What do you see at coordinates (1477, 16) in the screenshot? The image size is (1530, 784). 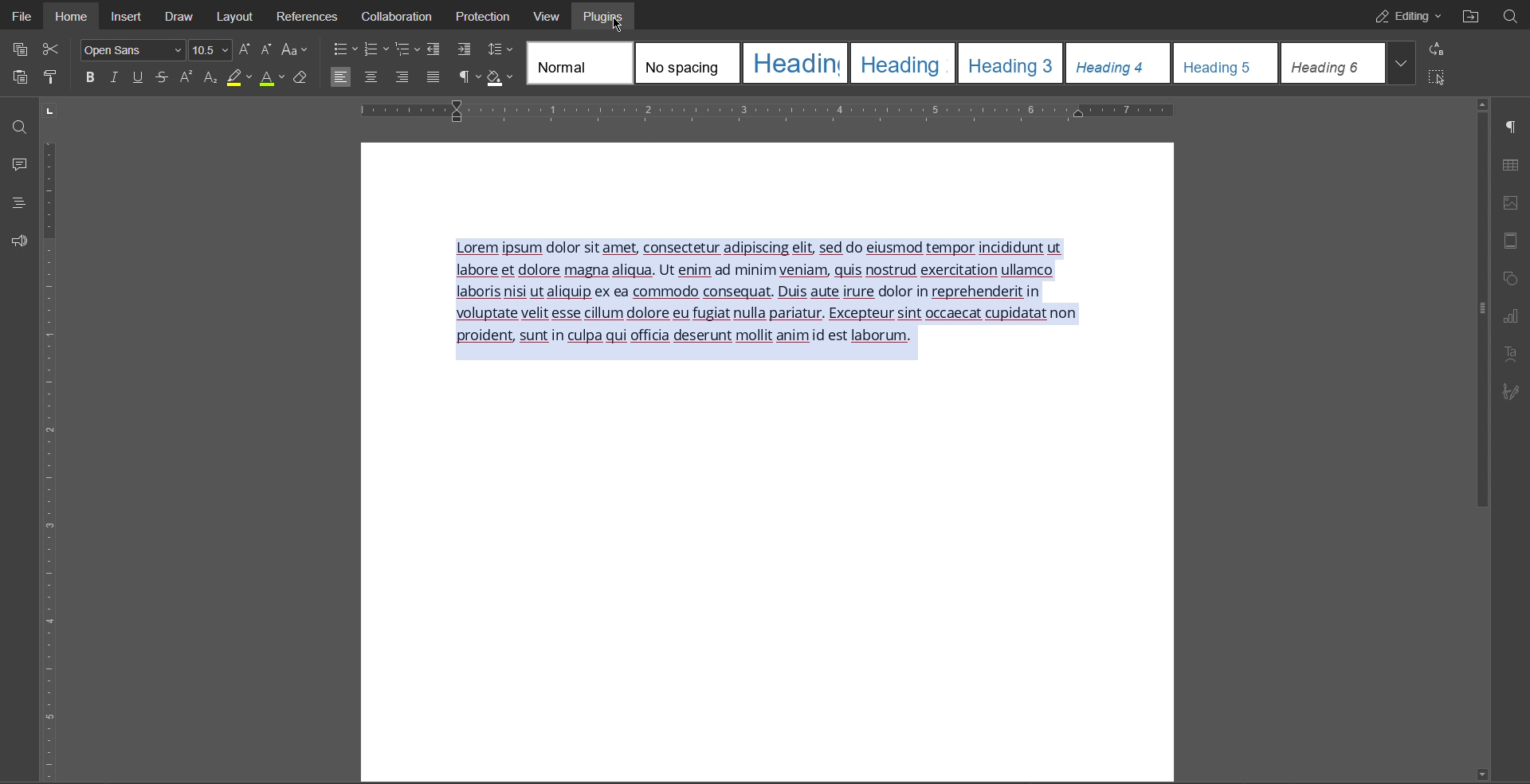 I see `Open File Location` at bounding box center [1477, 16].